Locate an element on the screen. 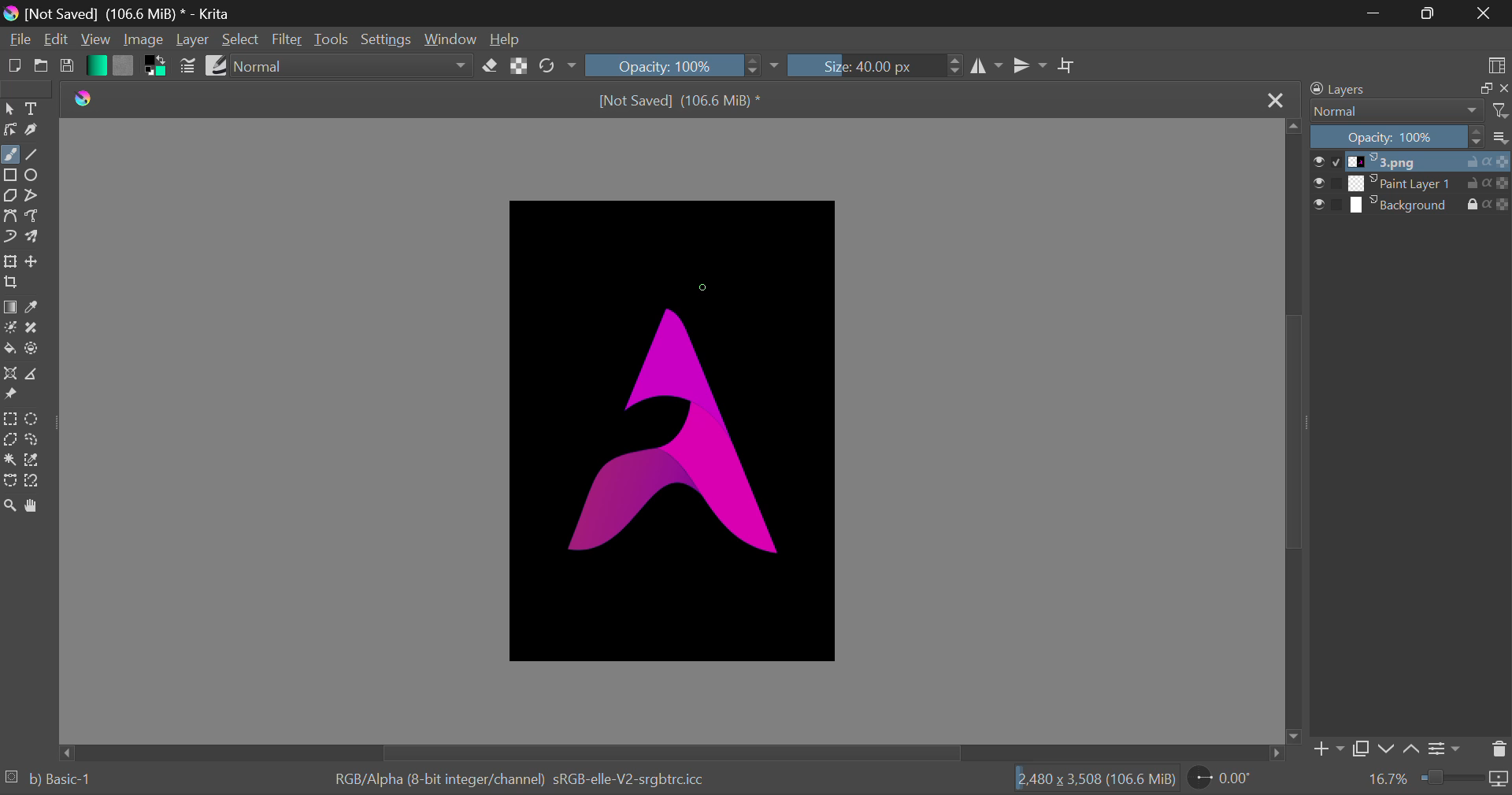 The width and height of the screenshot is (1512, 795). Pattern is located at coordinates (124, 65).